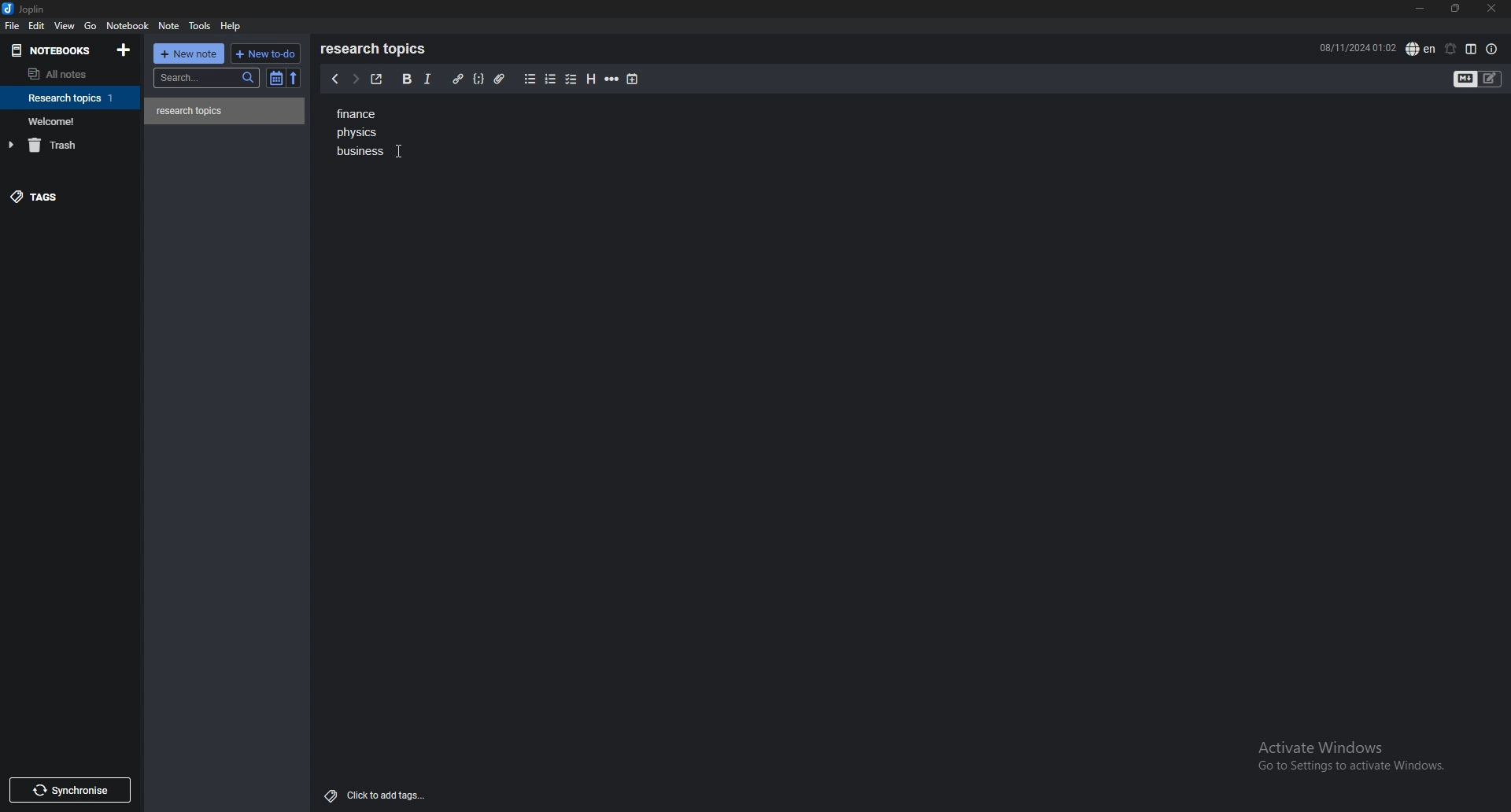  What do you see at coordinates (358, 114) in the screenshot?
I see `france` at bounding box center [358, 114].